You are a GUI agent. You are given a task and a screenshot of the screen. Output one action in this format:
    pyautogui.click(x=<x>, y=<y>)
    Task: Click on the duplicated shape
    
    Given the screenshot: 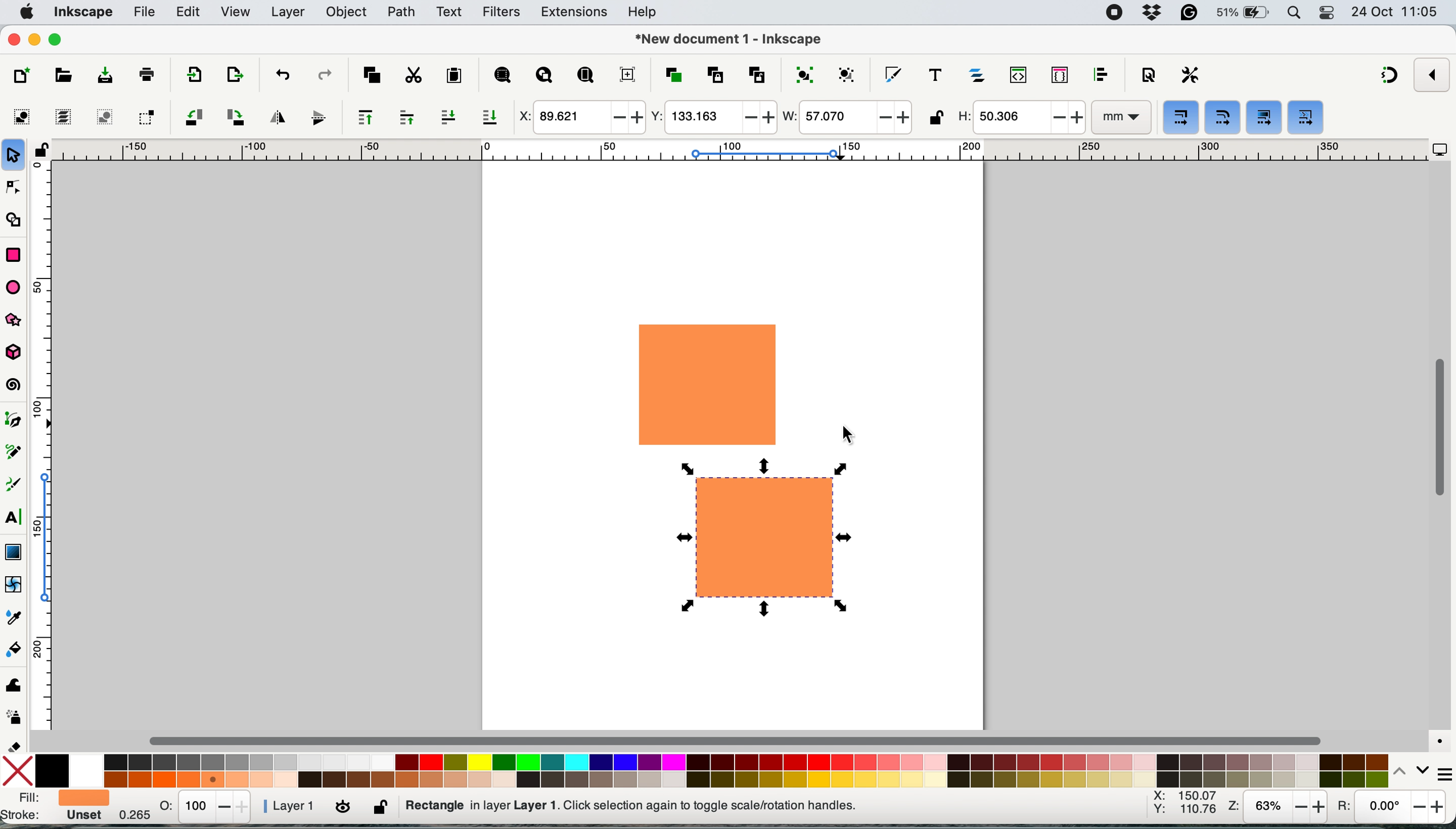 What is the action you would take?
    pyautogui.click(x=766, y=536)
    